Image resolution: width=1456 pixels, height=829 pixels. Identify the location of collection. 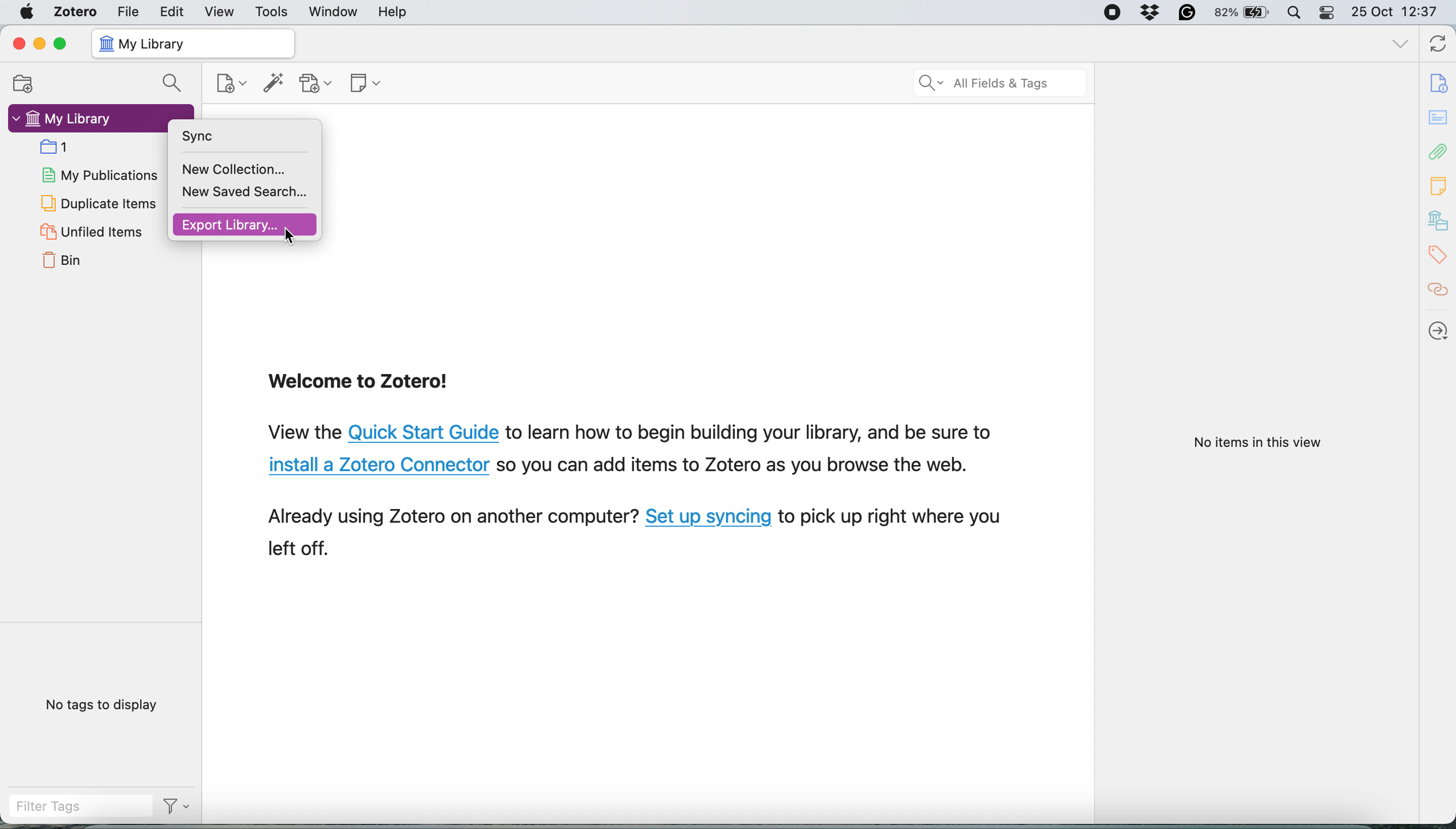
(54, 147).